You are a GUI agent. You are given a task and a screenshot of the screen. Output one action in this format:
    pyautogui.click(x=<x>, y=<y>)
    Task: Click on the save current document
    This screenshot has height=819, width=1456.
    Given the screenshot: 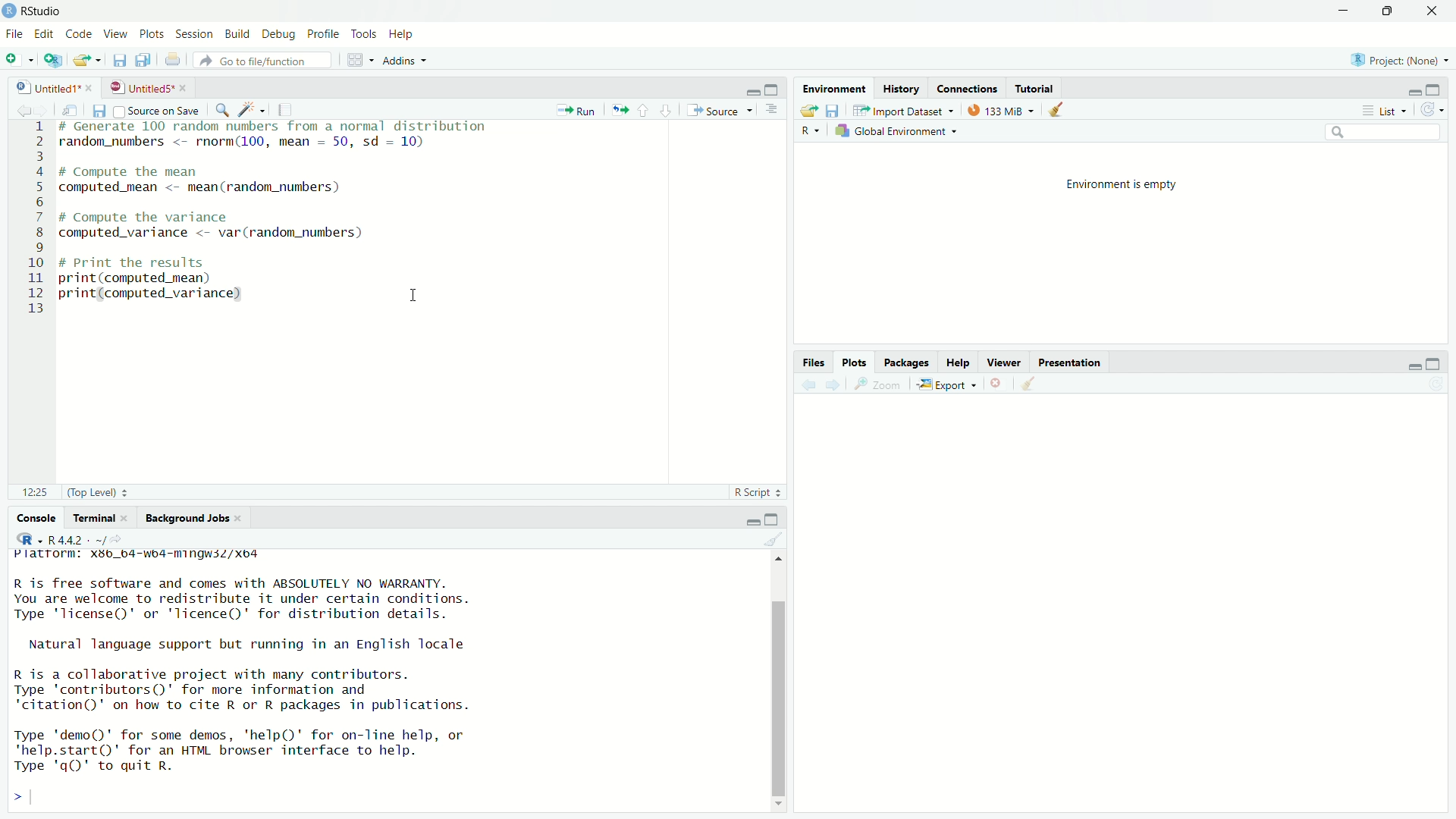 What is the action you would take?
    pyautogui.click(x=117, y=60)
    